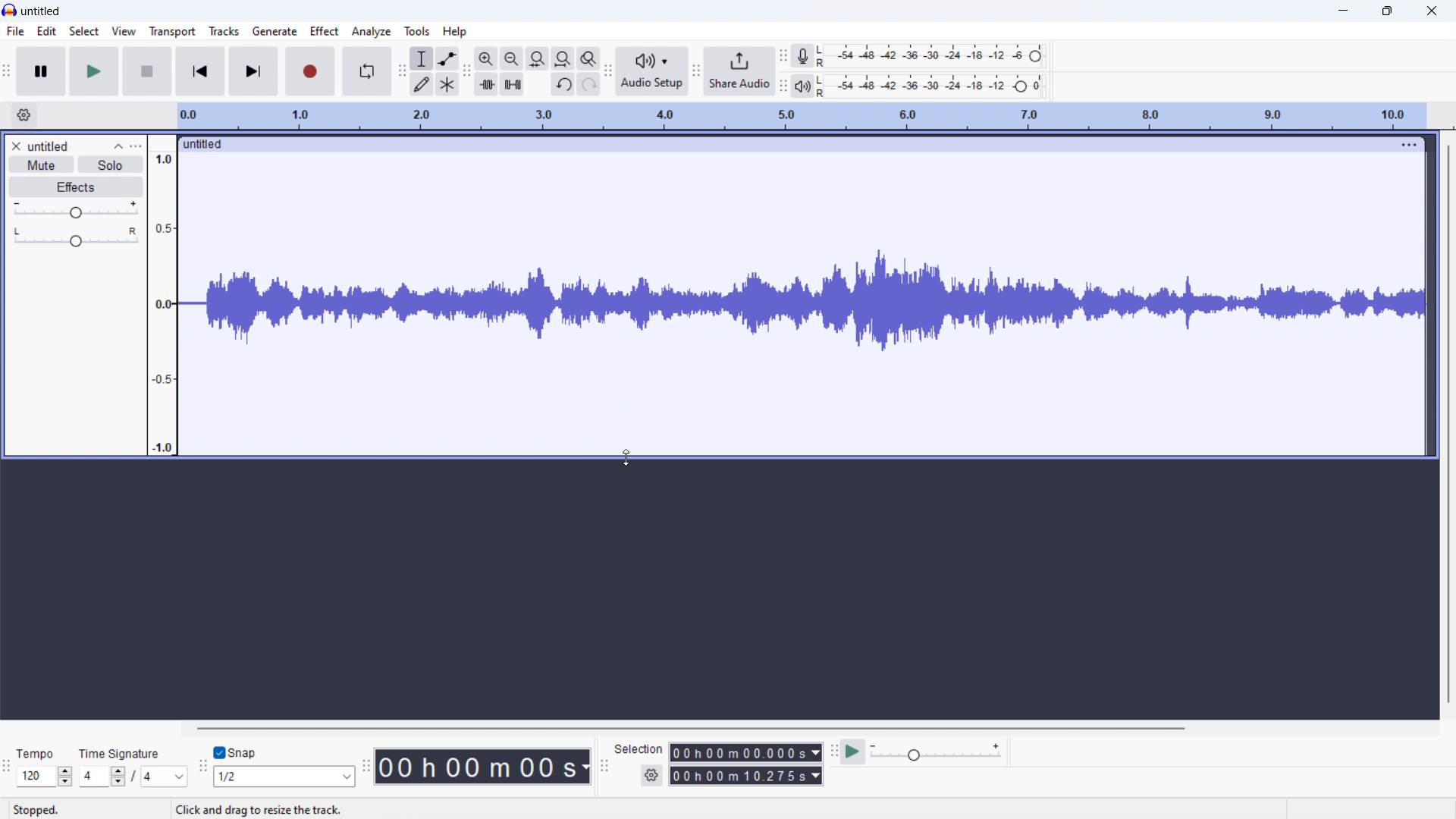 The image size is (1456, 819). Describe the element at coordinates (422, 58) in the screenshot. I see `selection tool` at that location.